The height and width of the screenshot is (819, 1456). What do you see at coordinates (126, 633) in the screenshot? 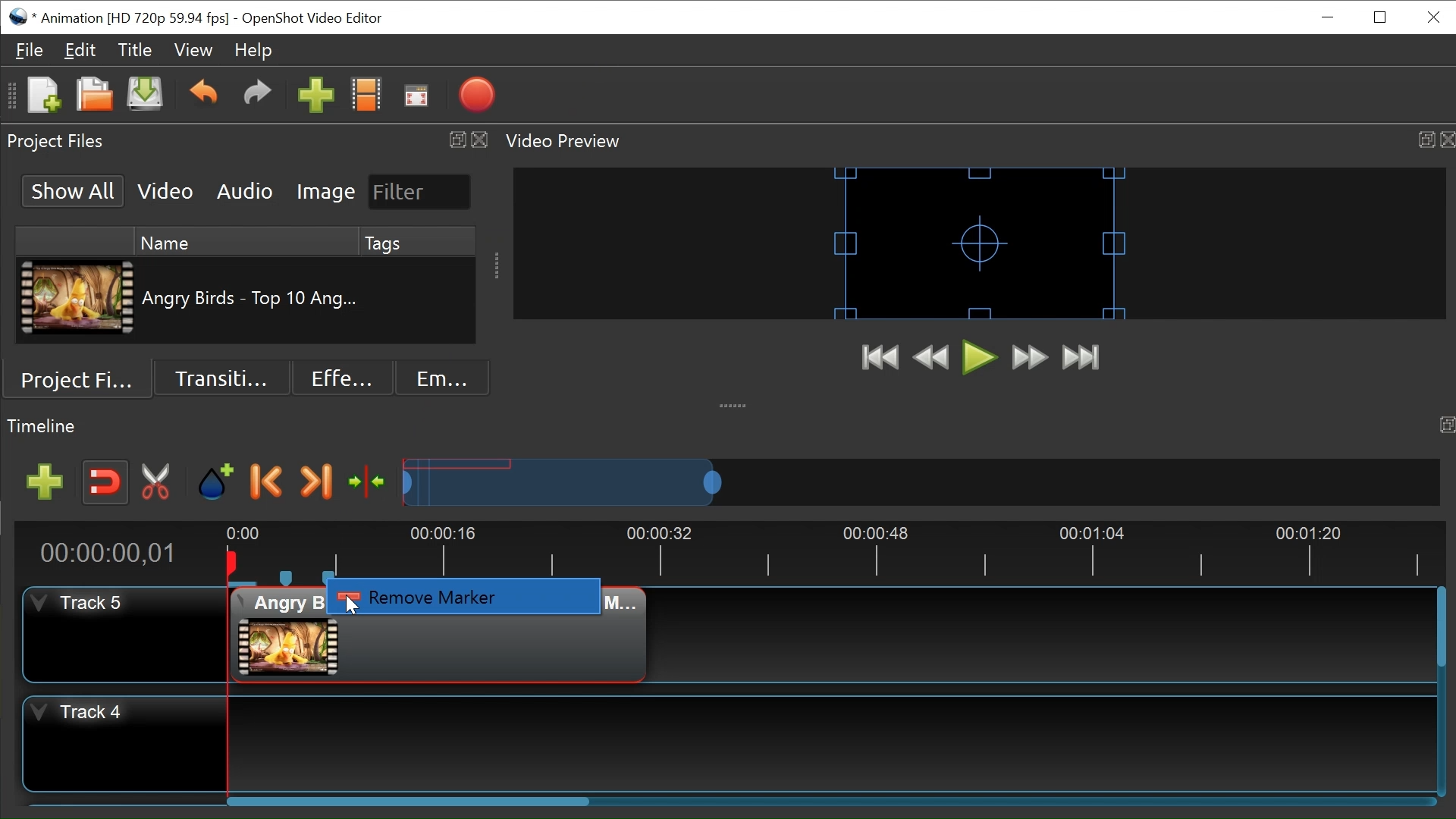
I see `Track Header` at bounding box center [126, 633].